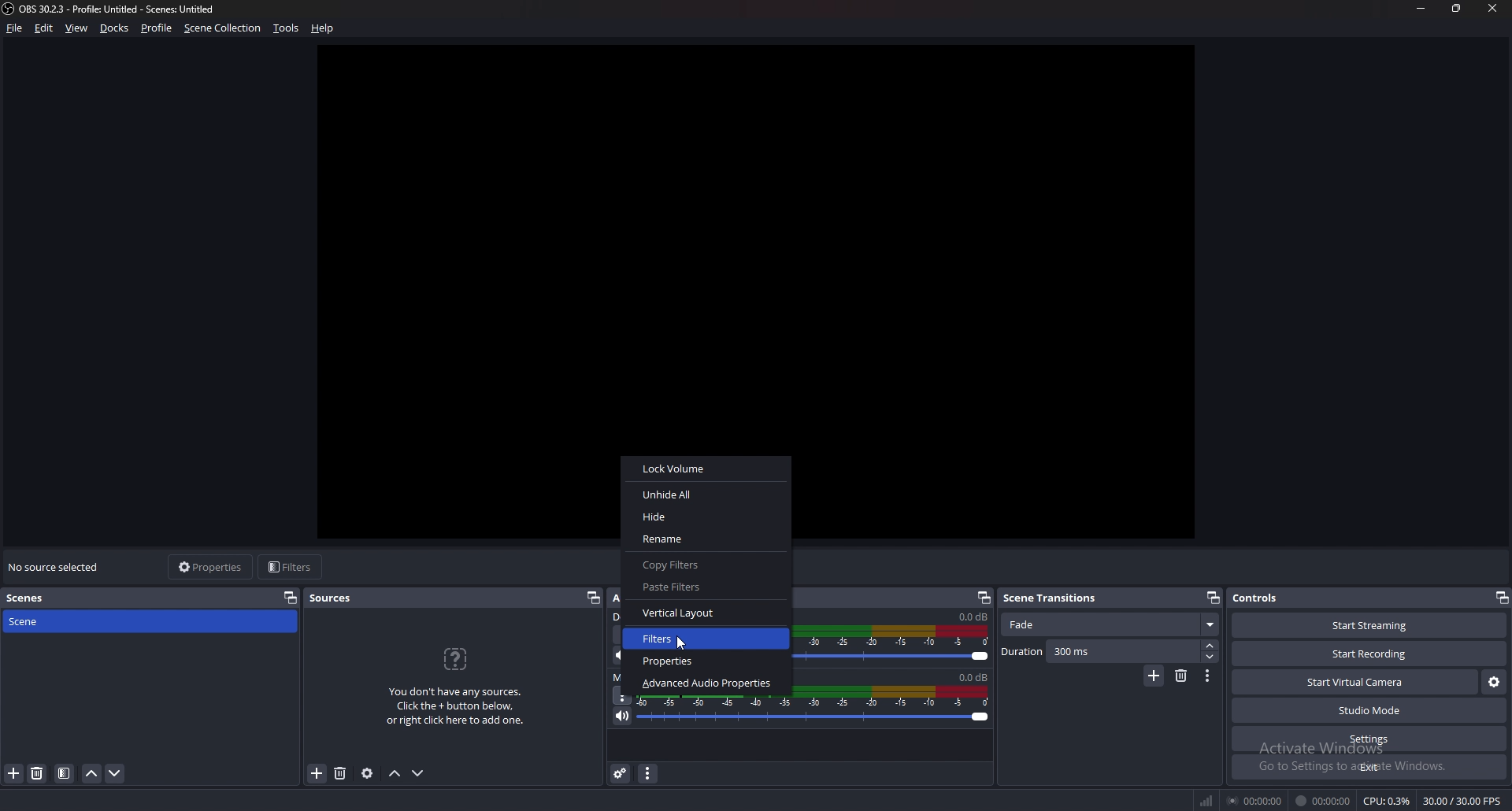 The width and height of the screenshot is (1512, 811). Describe the element at coordinates (973, 677) in the screenshot. I see `volume` at that location.